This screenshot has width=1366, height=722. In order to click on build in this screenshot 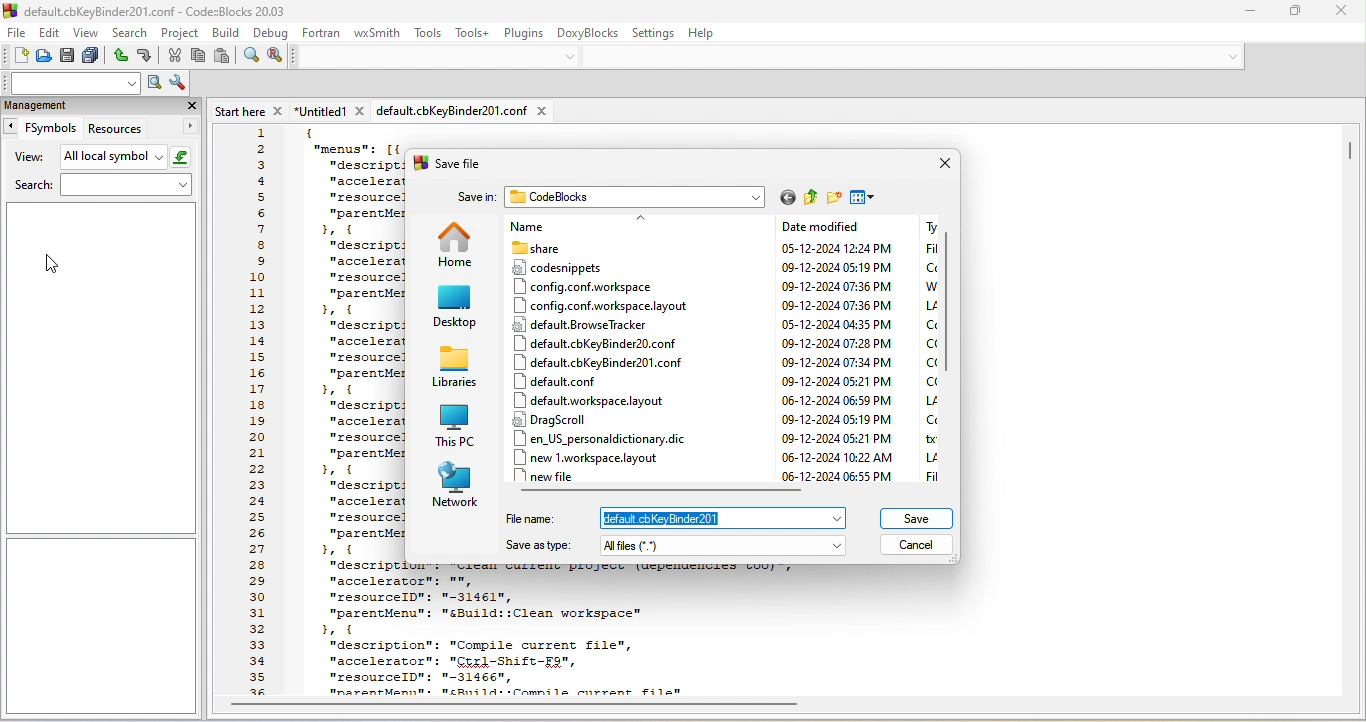, I will do `click(226, 33)`.